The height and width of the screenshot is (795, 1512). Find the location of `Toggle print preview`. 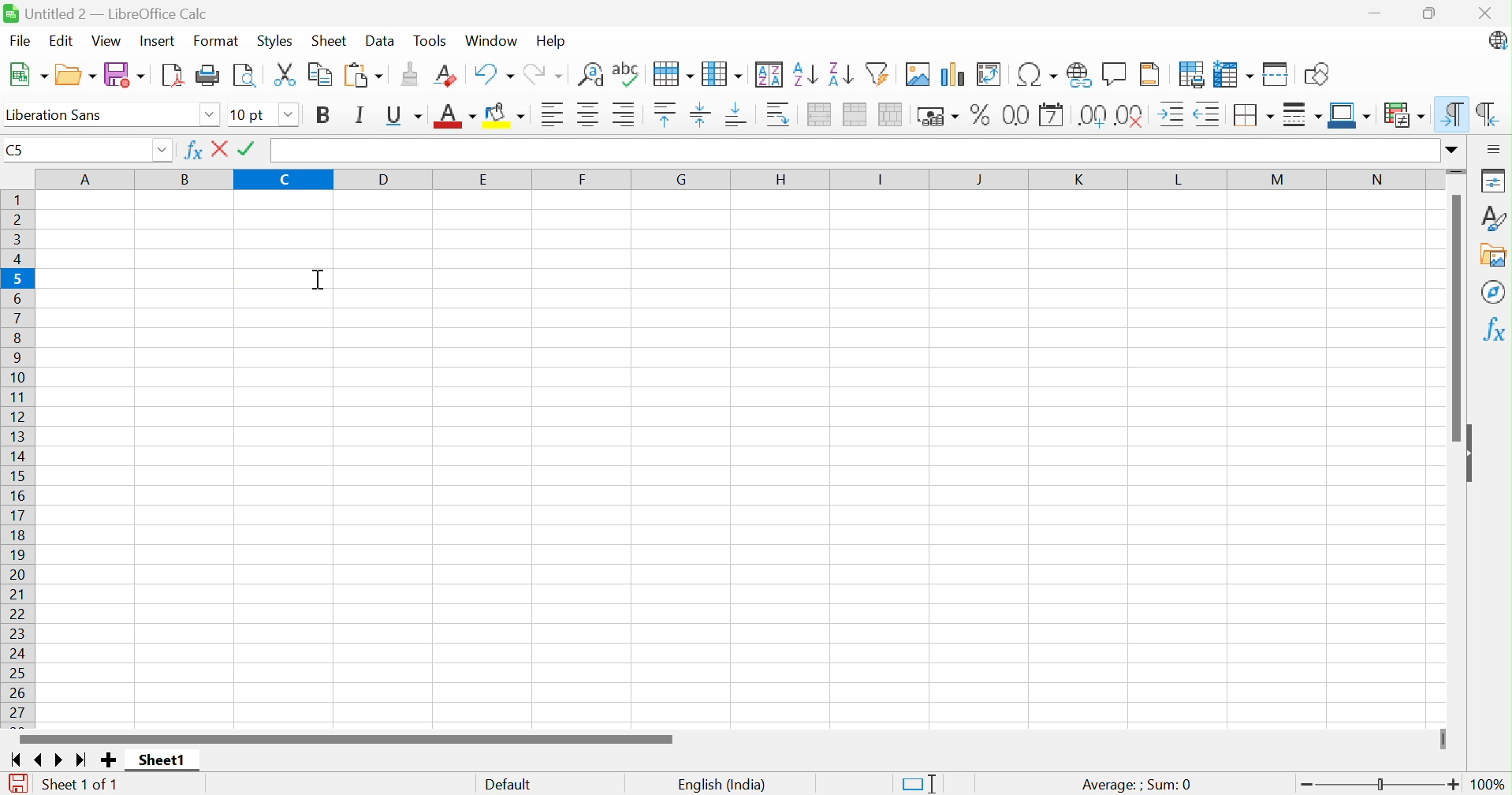

Toggle print preview is located at coordinates (245, 74).